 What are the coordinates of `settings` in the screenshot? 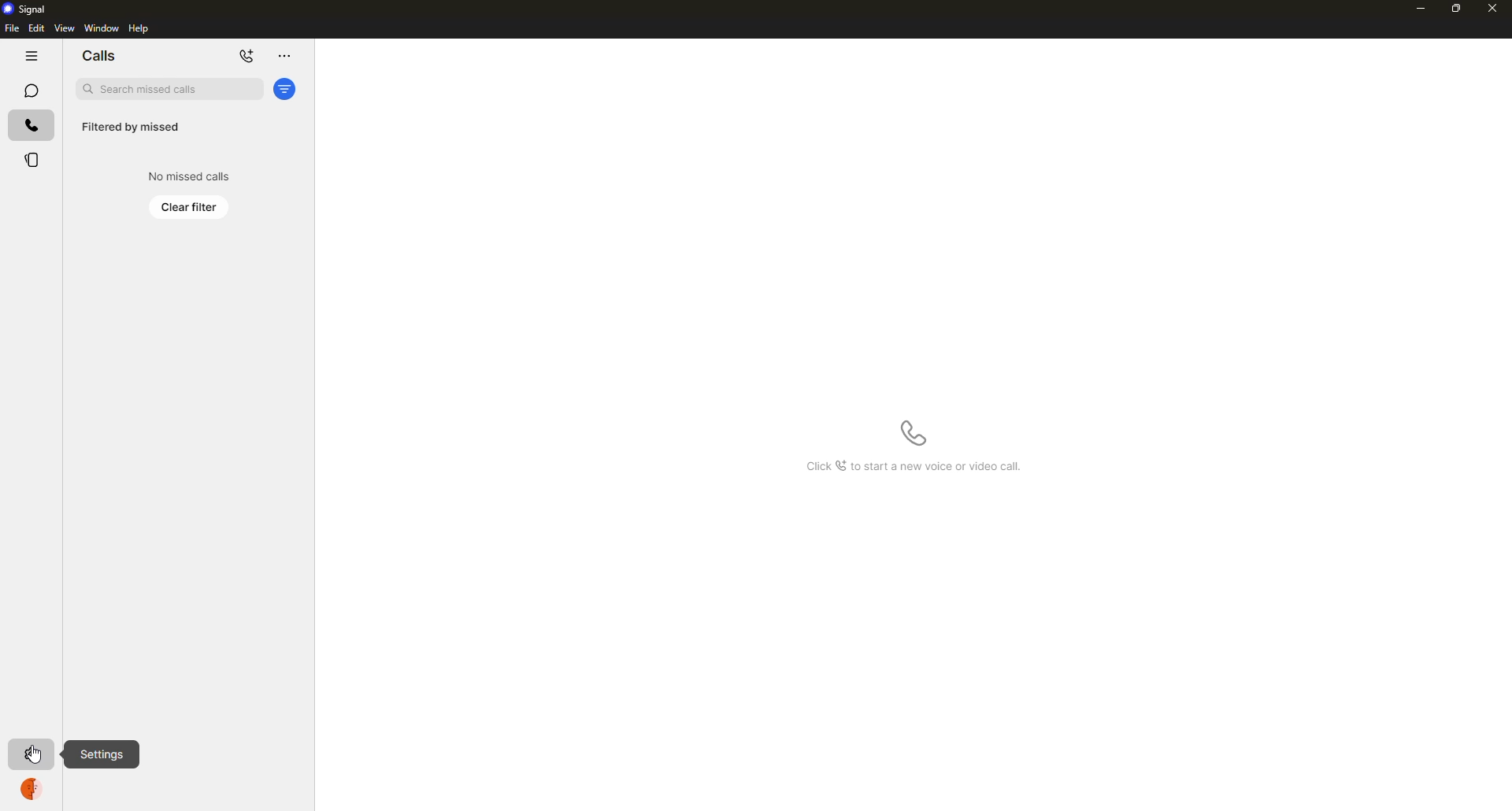 It's located at (102, 754).